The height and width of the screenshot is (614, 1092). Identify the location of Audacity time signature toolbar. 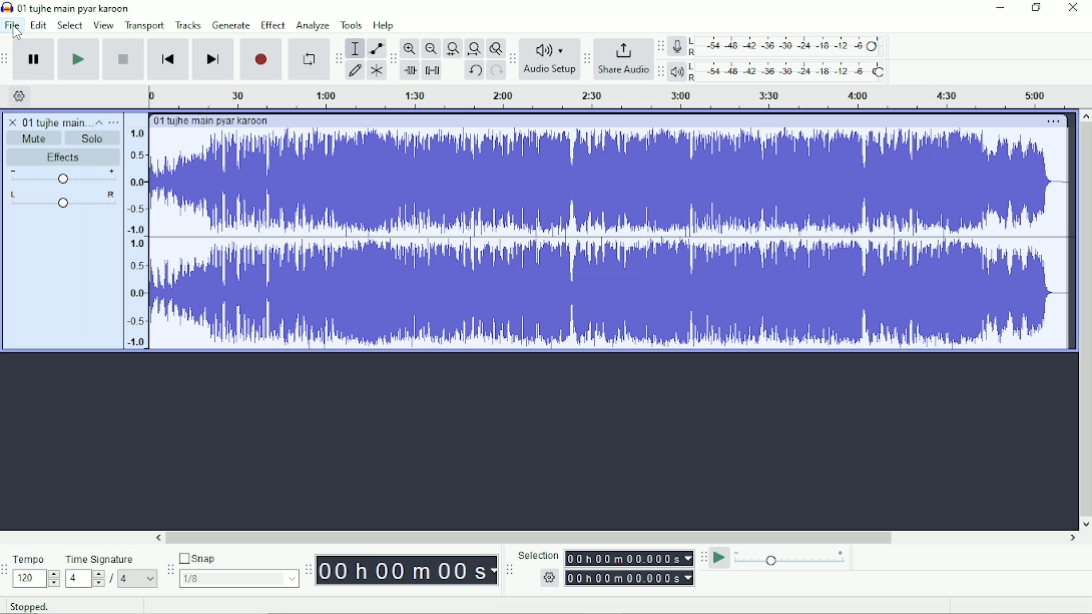
(7, 570).